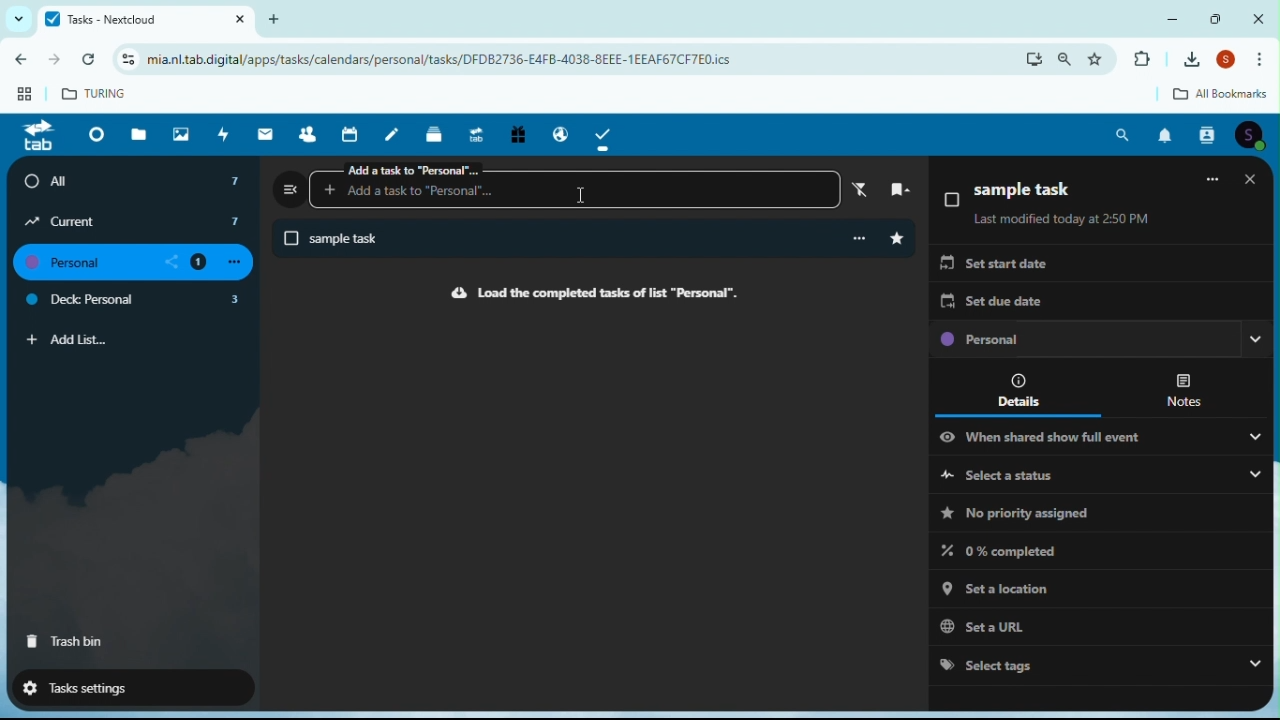 The image size is (1280, 720). I want to click on mia.ni.tab.digital/apps/tasks/calendars/personal, so click(491, 60).